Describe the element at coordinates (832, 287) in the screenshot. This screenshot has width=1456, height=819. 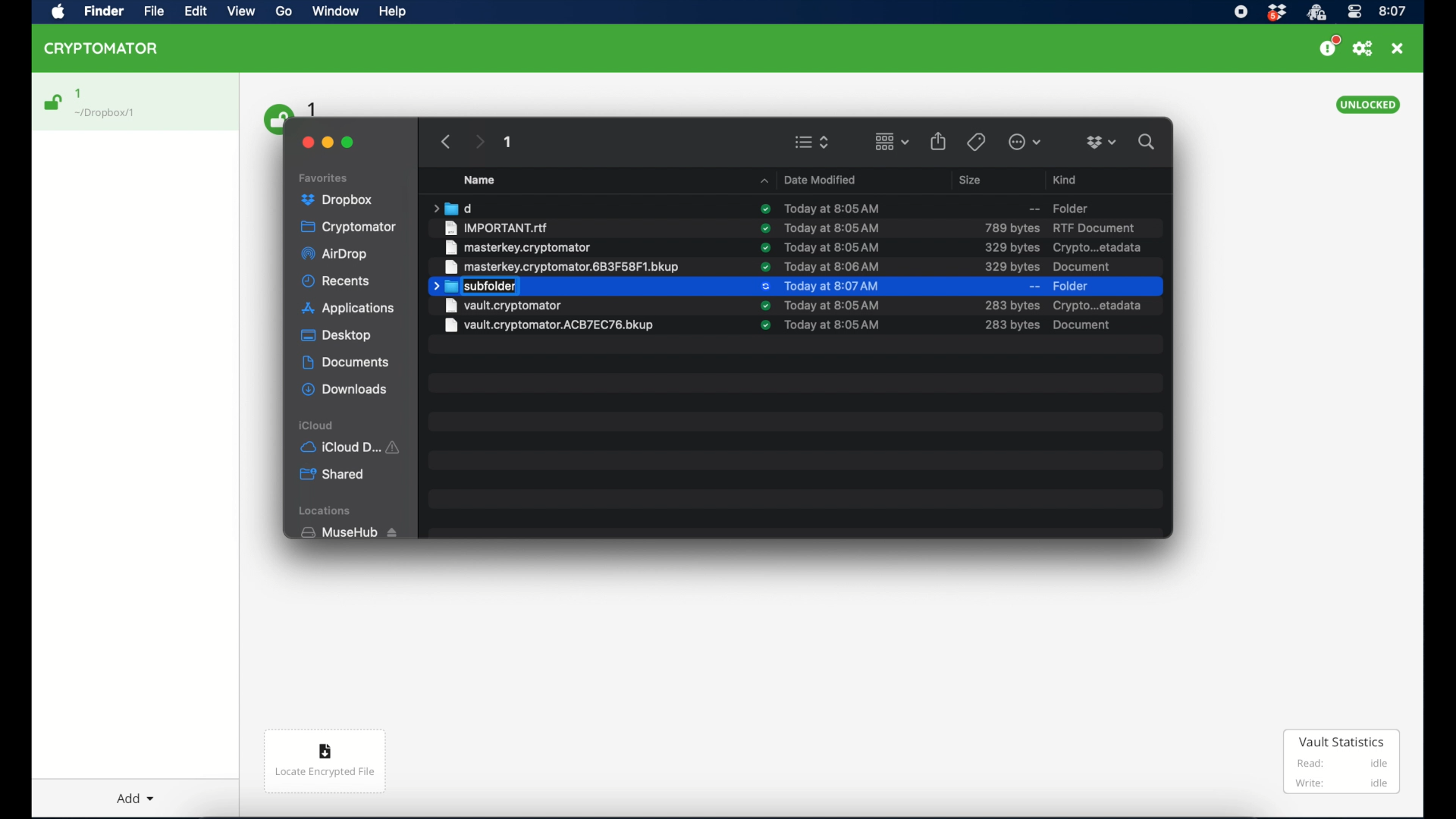
I see `date` at that location.